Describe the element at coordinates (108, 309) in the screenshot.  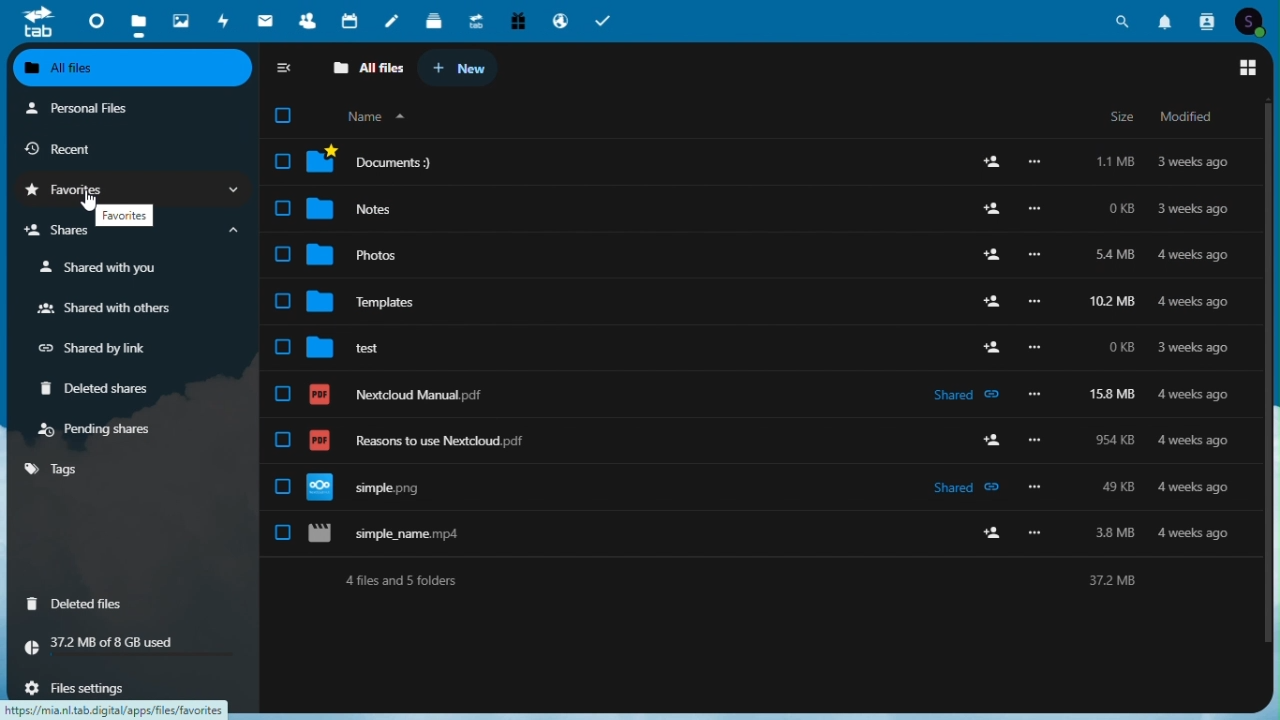
I see `Shared with others` at that location.